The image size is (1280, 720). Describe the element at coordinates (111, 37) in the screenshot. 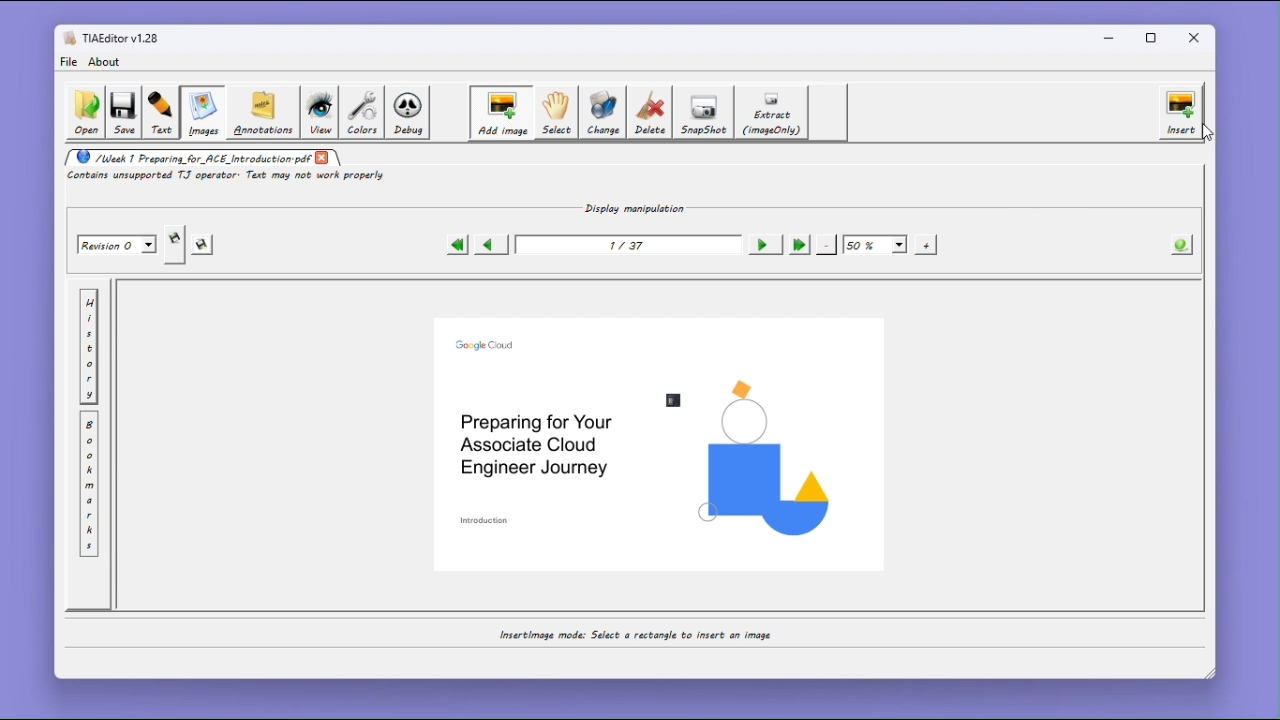

I see `TIAEditor v1.28` at that location.